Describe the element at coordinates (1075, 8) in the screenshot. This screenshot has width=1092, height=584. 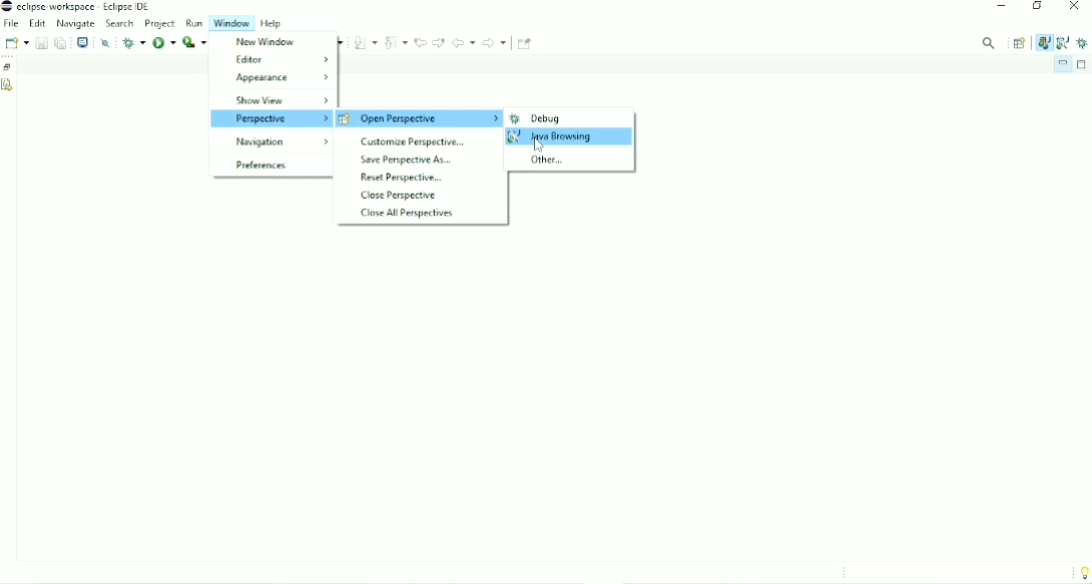
I see `Close` at that location.